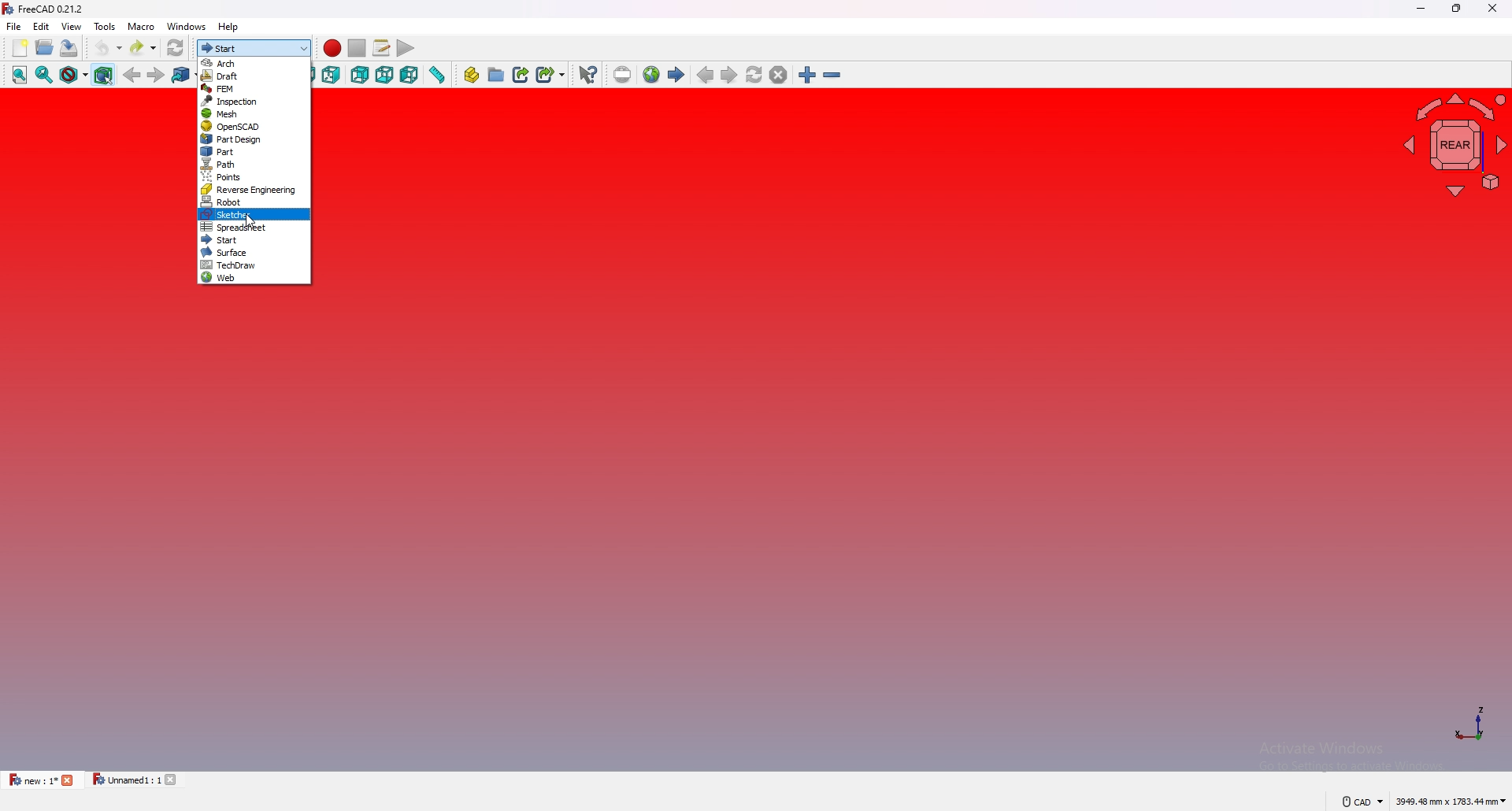  I want to click on OpenSCAD, so click(254, 125).